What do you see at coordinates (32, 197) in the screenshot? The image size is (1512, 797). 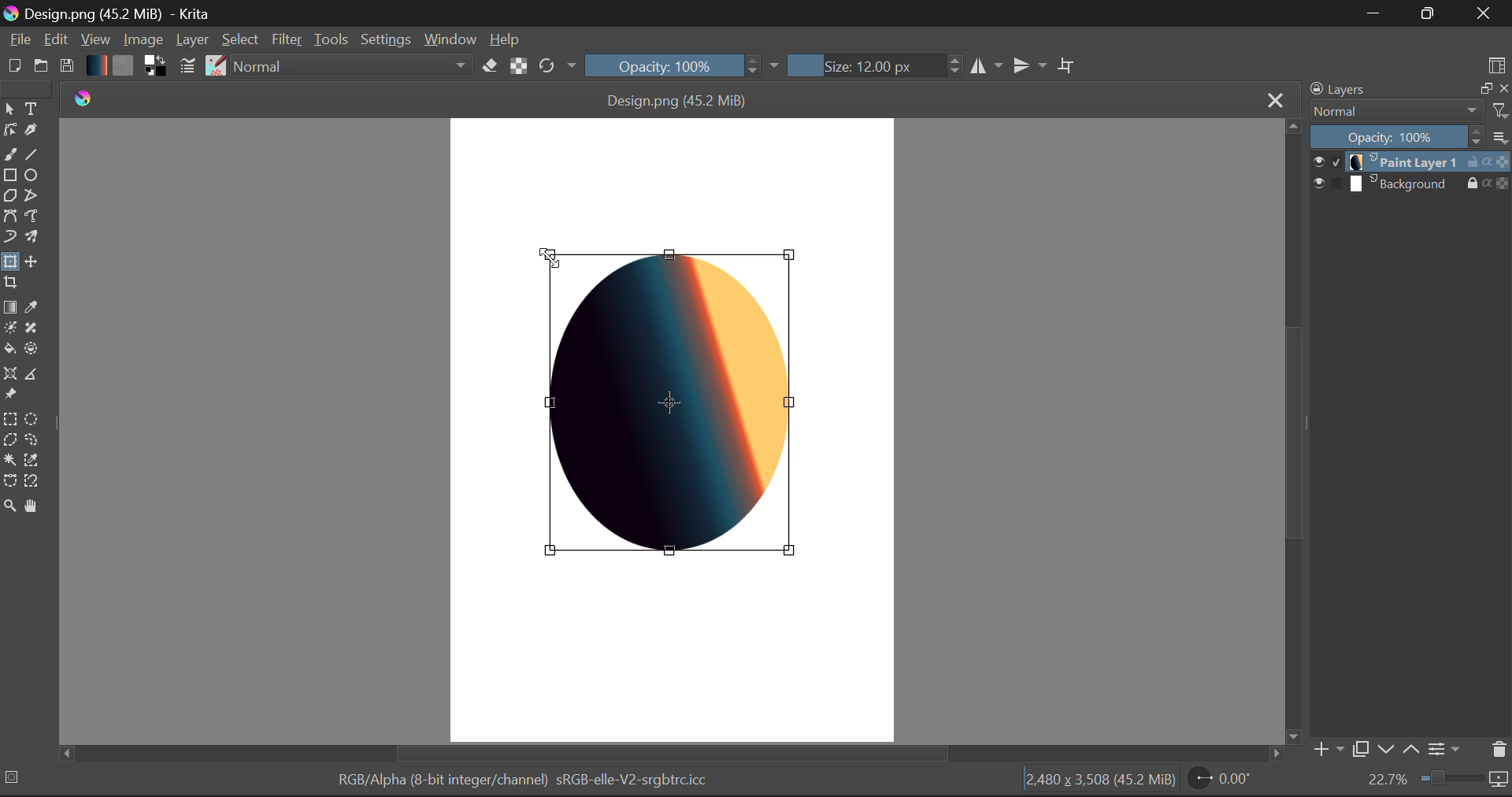 I see `Polyline` at bounding box center [32, 197].